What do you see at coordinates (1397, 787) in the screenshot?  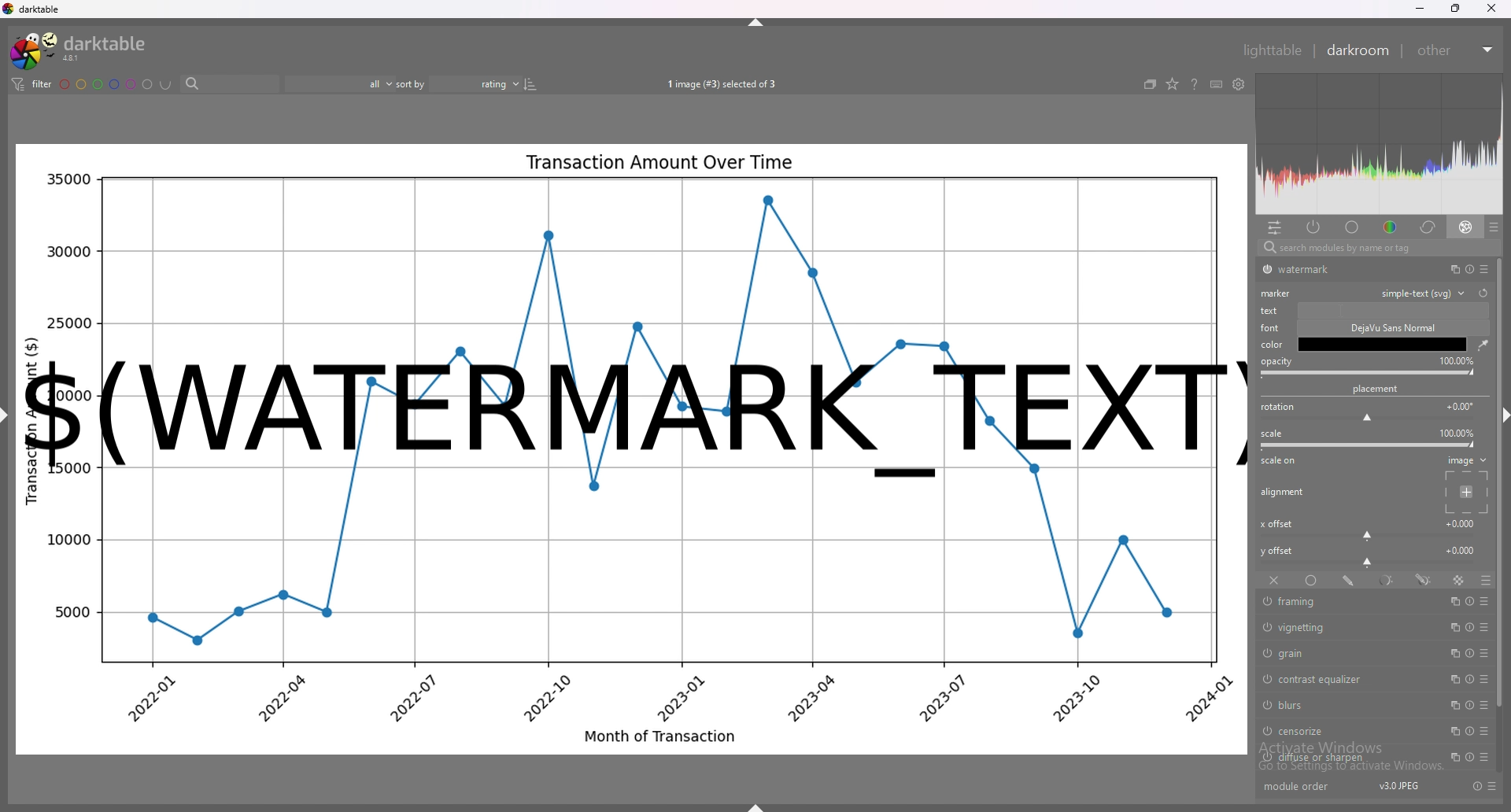 I see `version` at bounding box center [1397, 787].